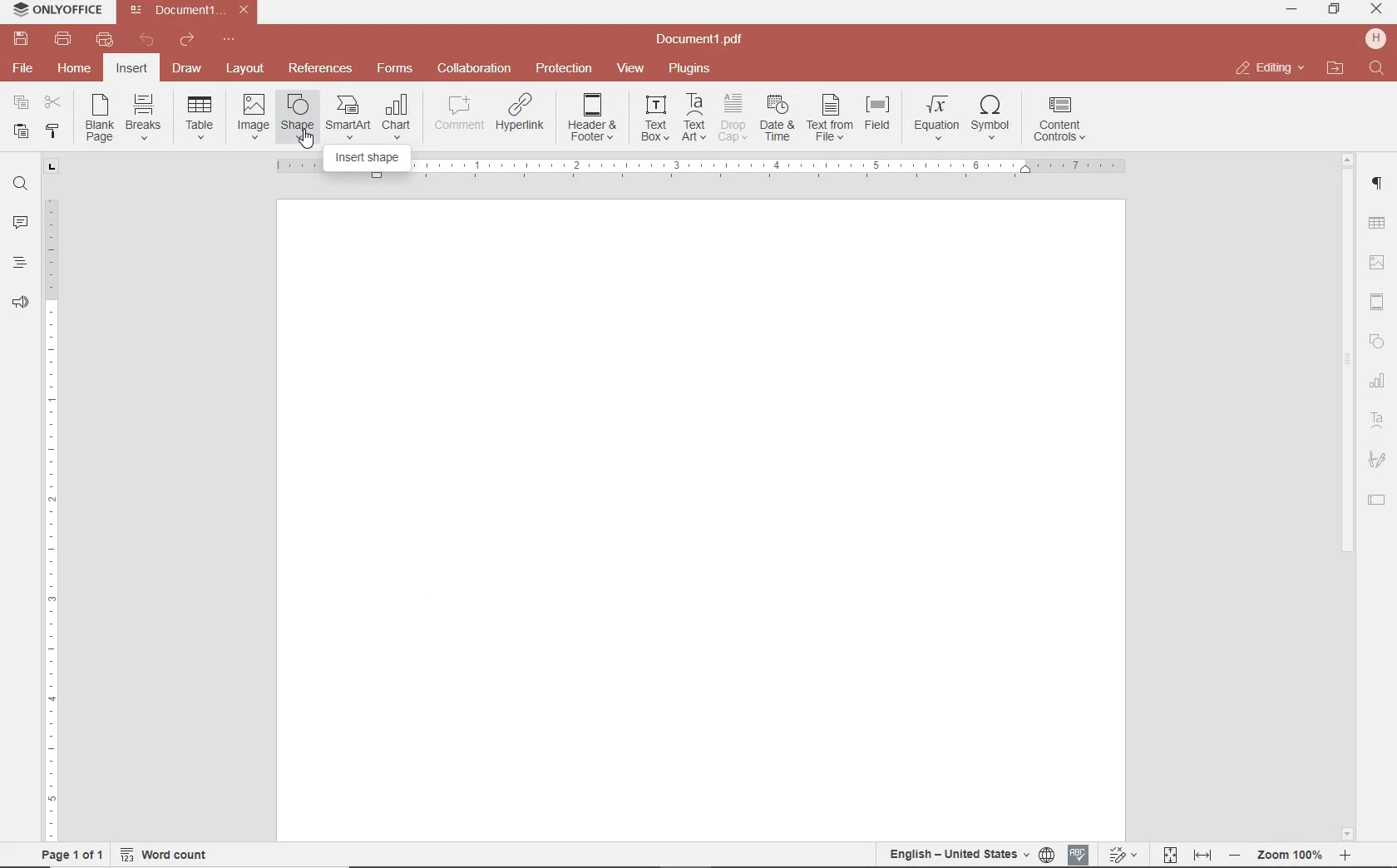  Describe the element at coordinates (1059, 120) in the screenshot. I see `INSERT CONTENT CONTROLS` at that location.